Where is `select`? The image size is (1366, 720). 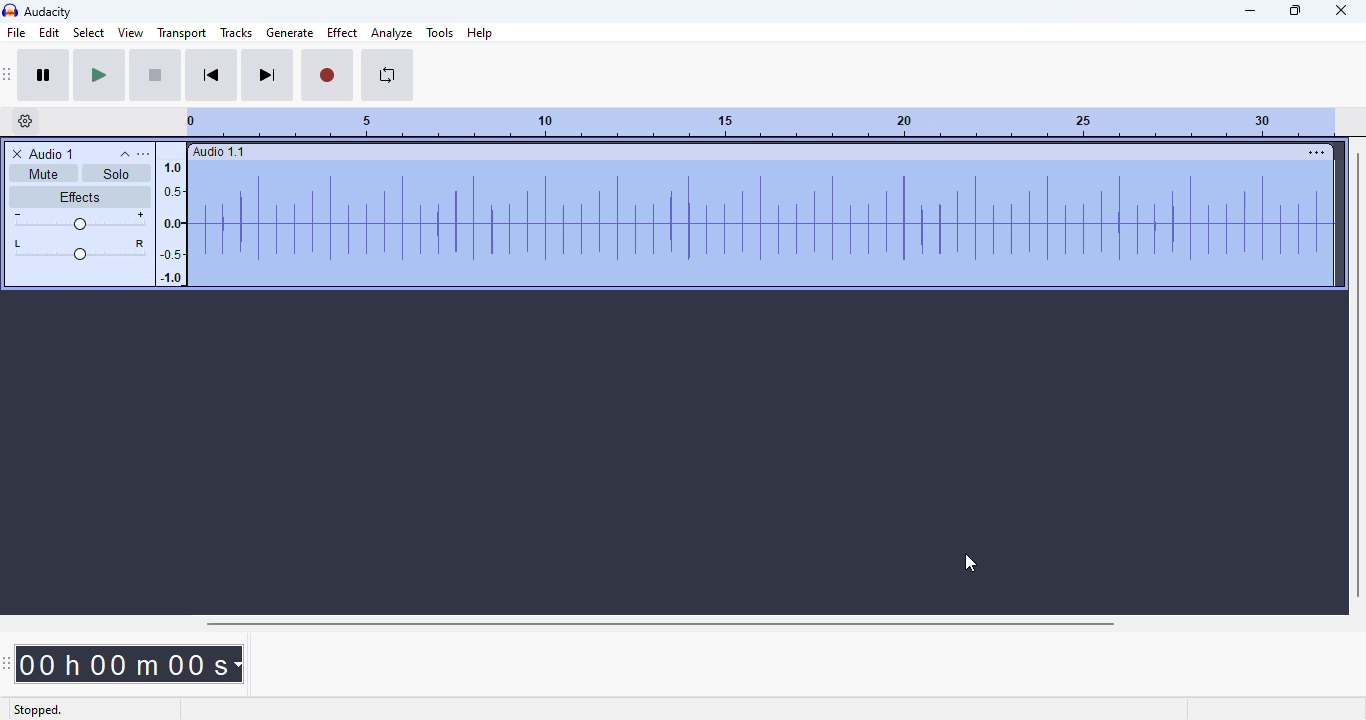 select is located at coordinates (89, 32).